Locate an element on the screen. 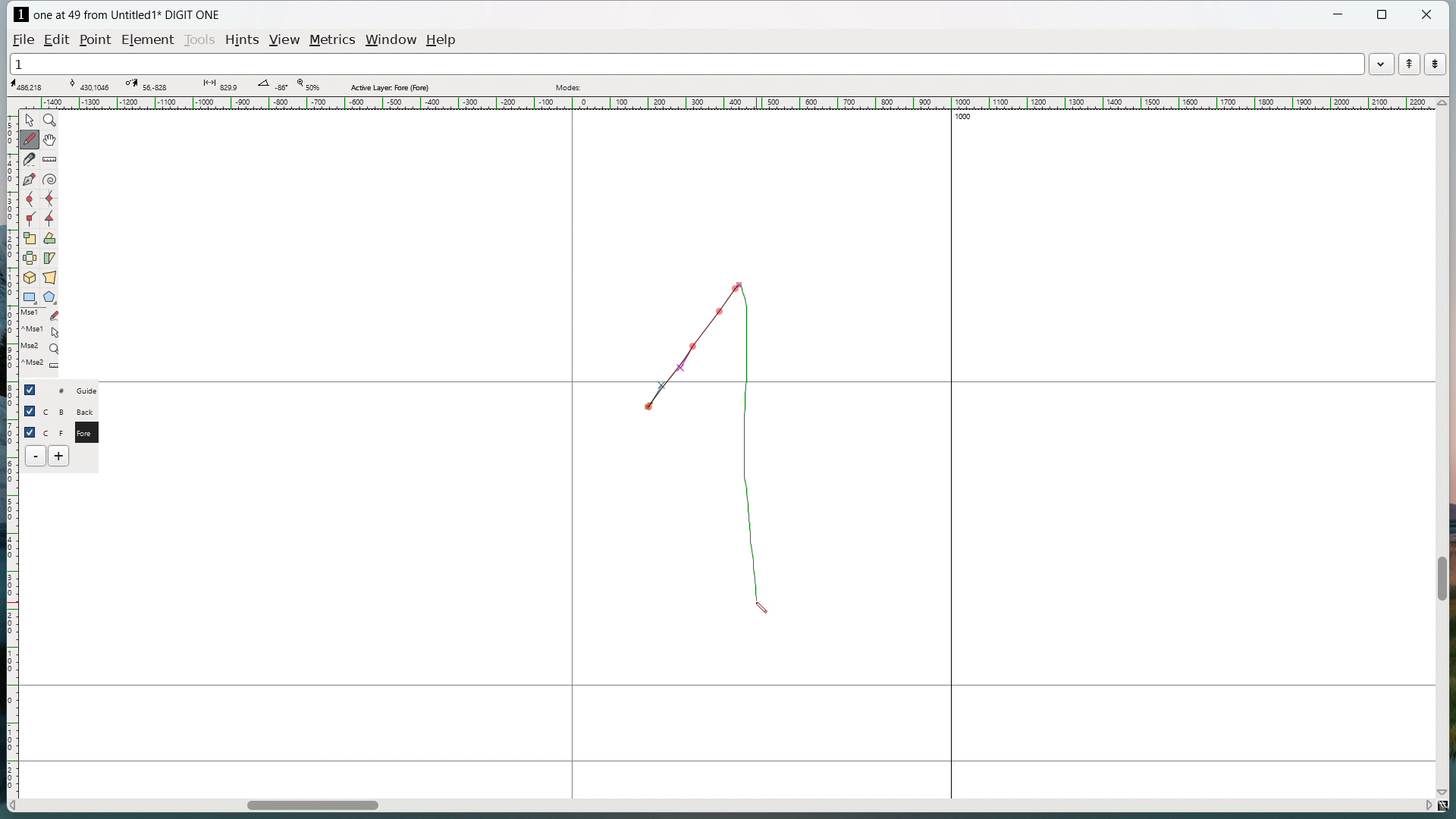 The image size is (1456, 819). delete layer is located at coordinates (36, 456).